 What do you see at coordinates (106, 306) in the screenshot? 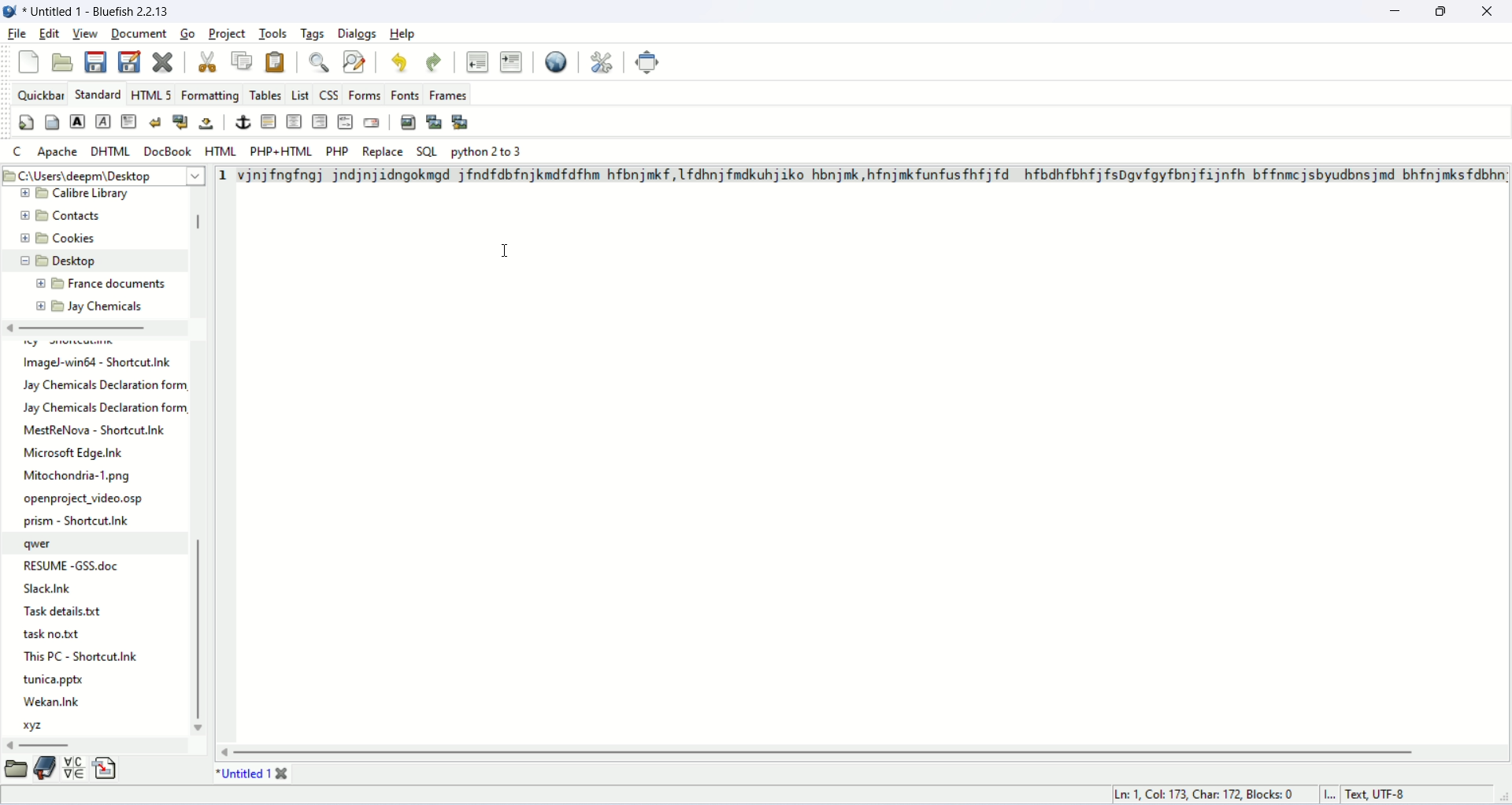
I see `Jay Chemicals` at bounding box center [106, 306].